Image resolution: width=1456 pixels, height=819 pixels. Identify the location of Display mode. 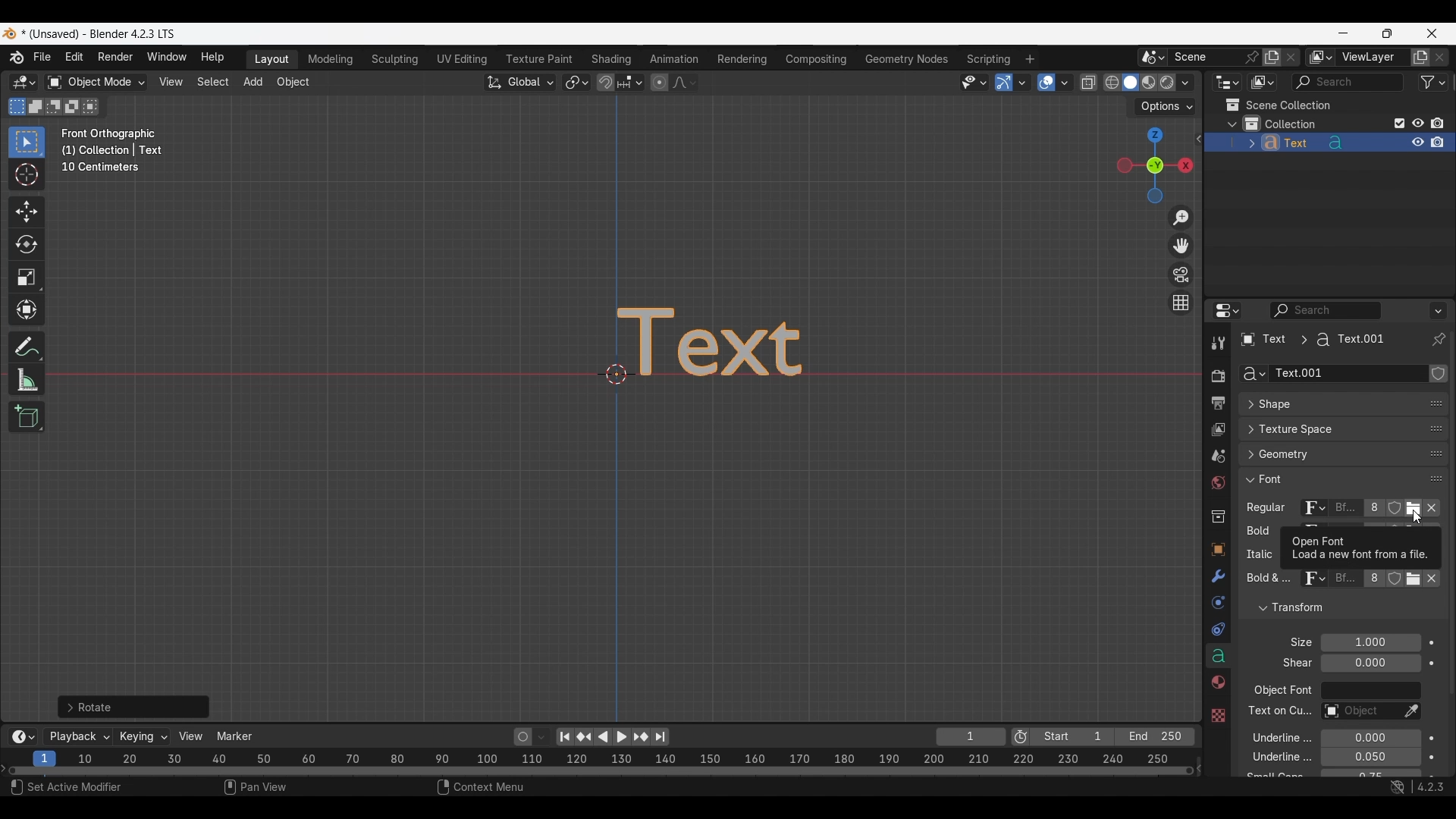
(1262, 83).